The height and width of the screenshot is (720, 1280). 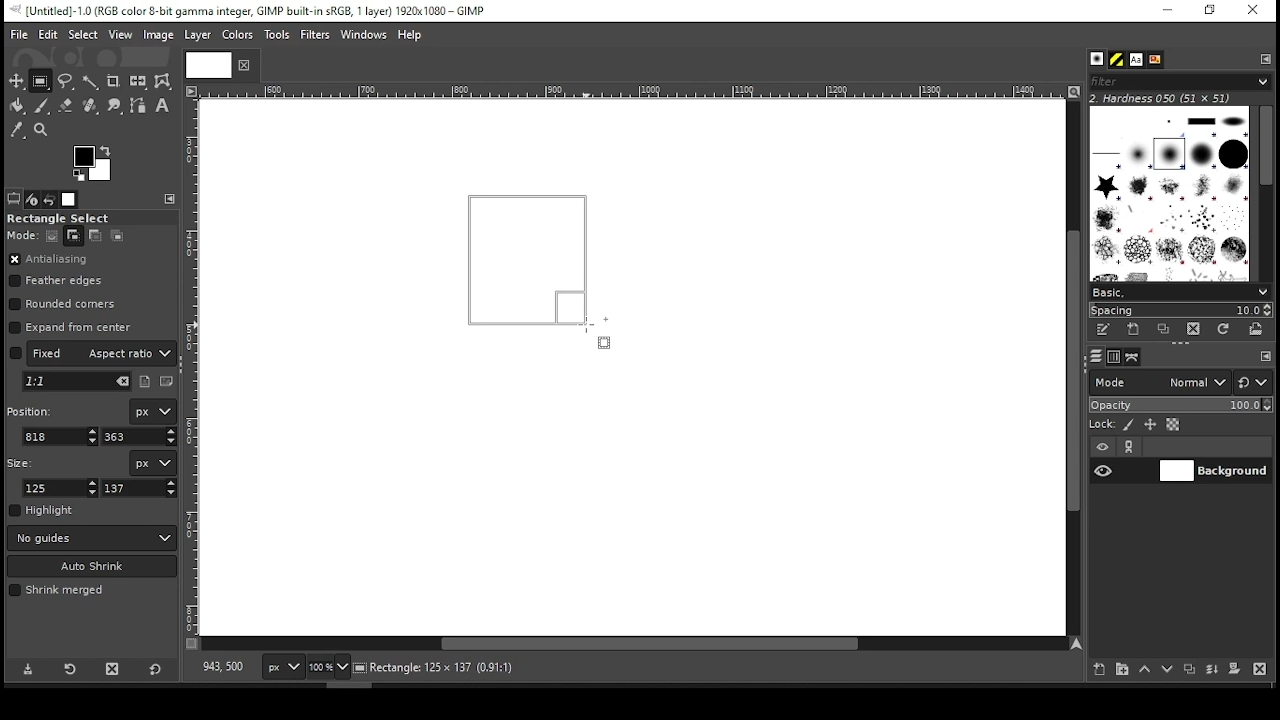 I want to click on units, so click(x=284, y=668).